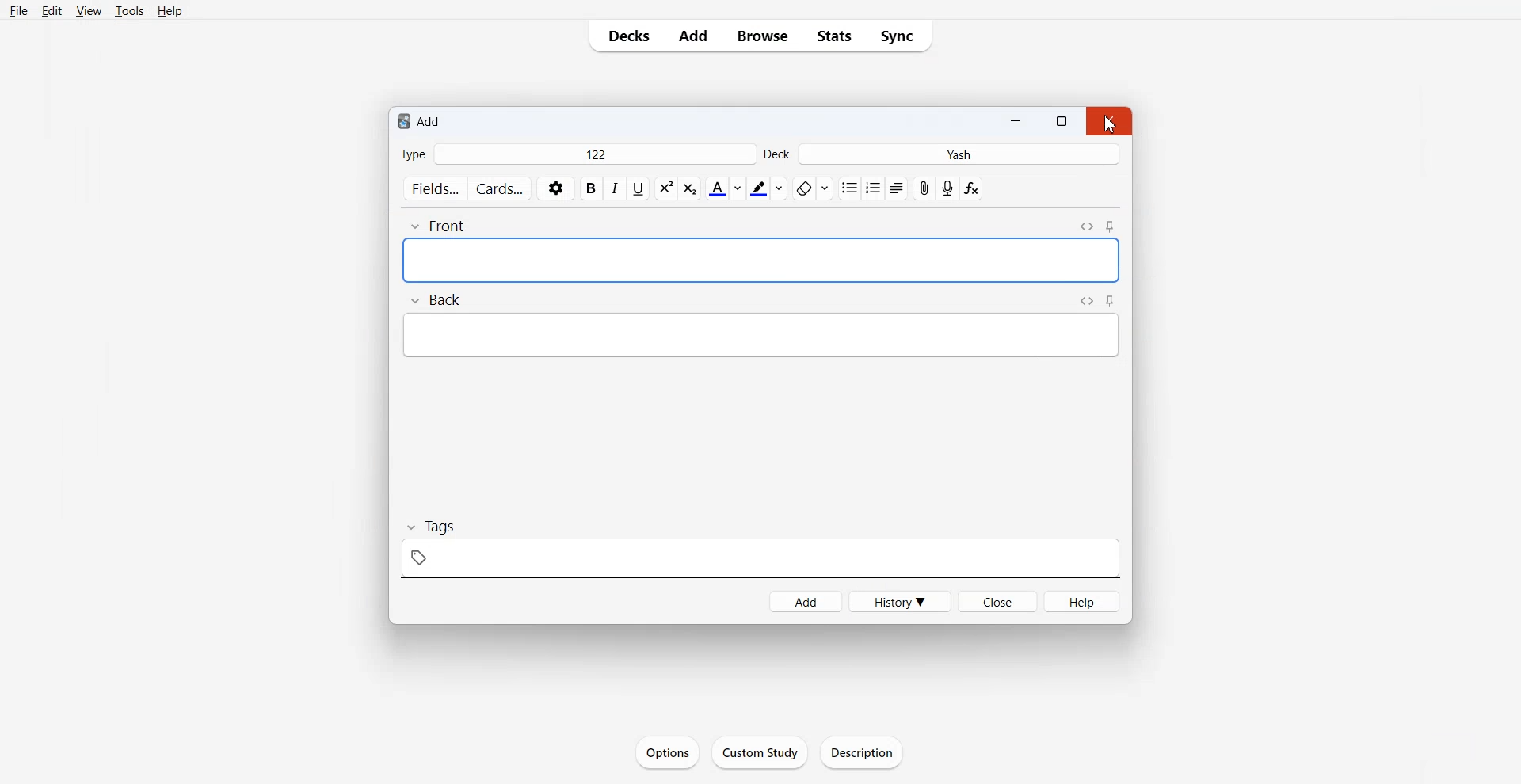  I want to click on Back, so click(434, 299).